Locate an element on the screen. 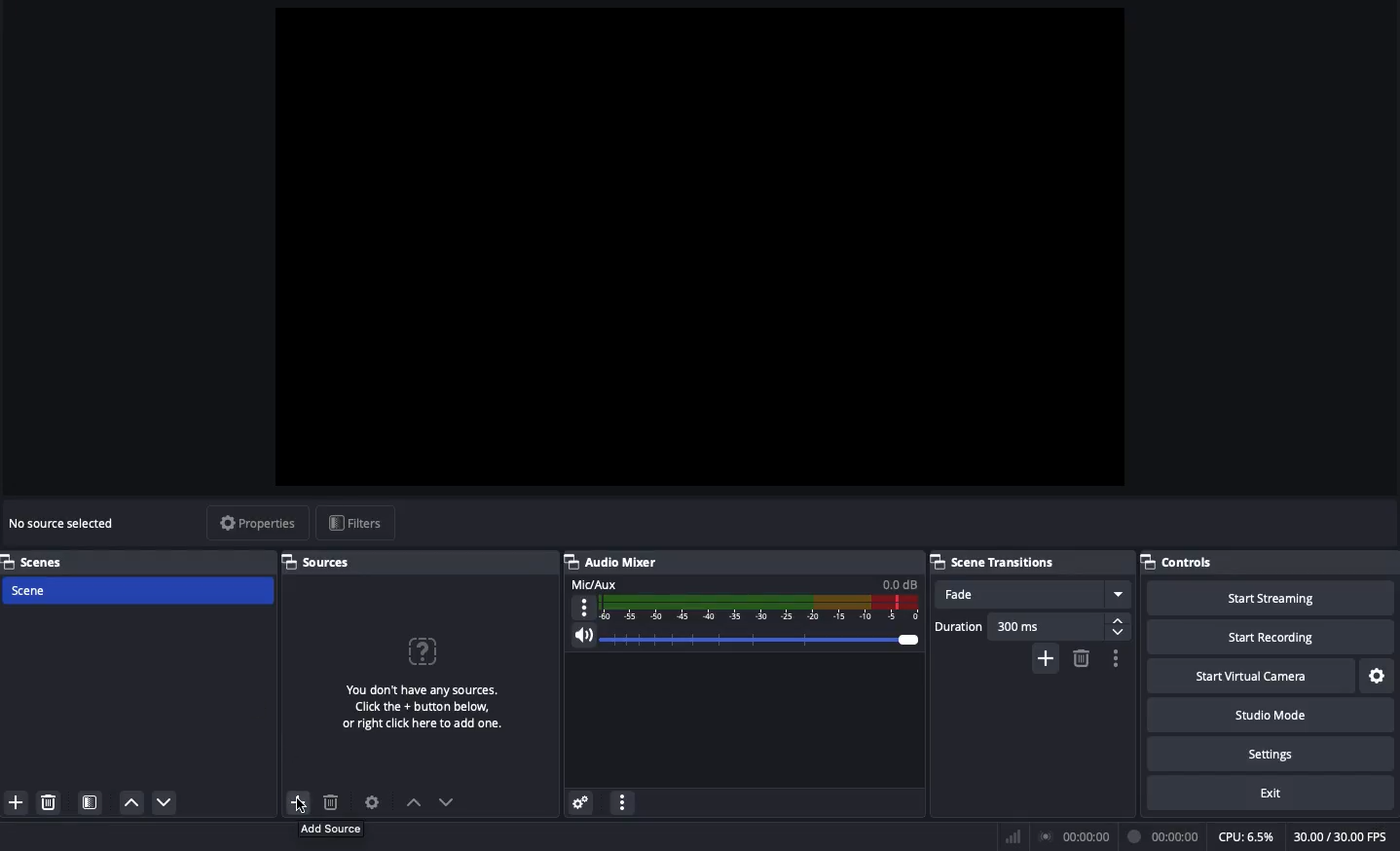 This screenshot has height=851, width=1400. Settings is located at coordinates (1380, 676).